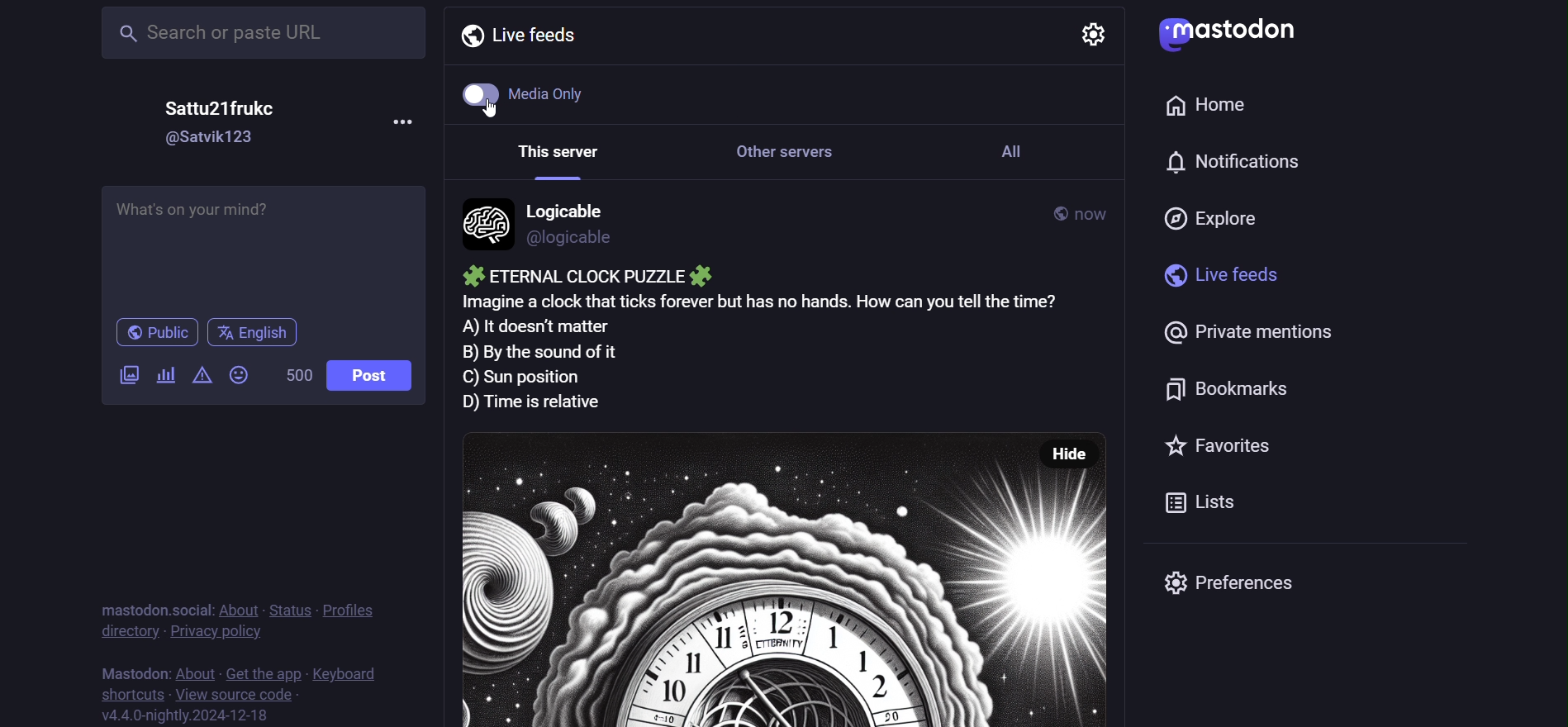 This screenshot has width=1568, height=727. I want to click on favorites, so click(1207, 448).